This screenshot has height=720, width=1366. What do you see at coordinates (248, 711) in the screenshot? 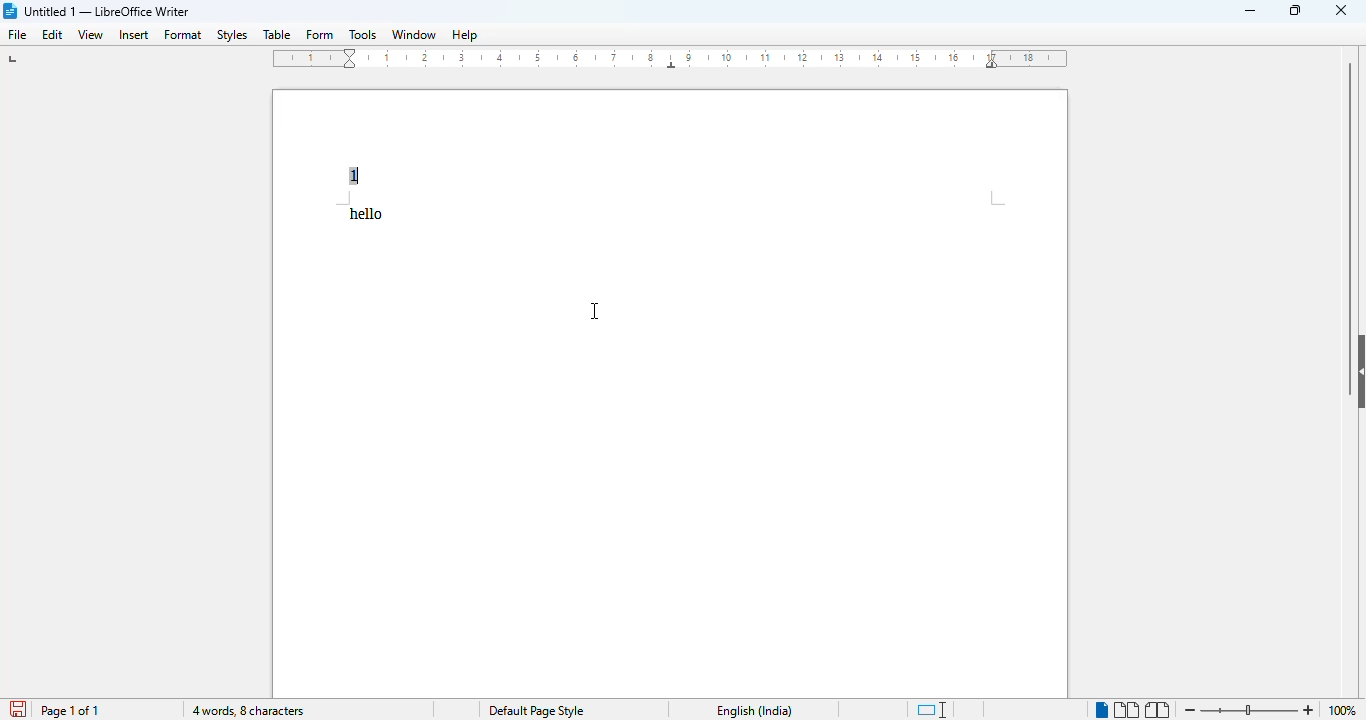
I see `4 words, 8 characters` at bounding box center [248, 711].